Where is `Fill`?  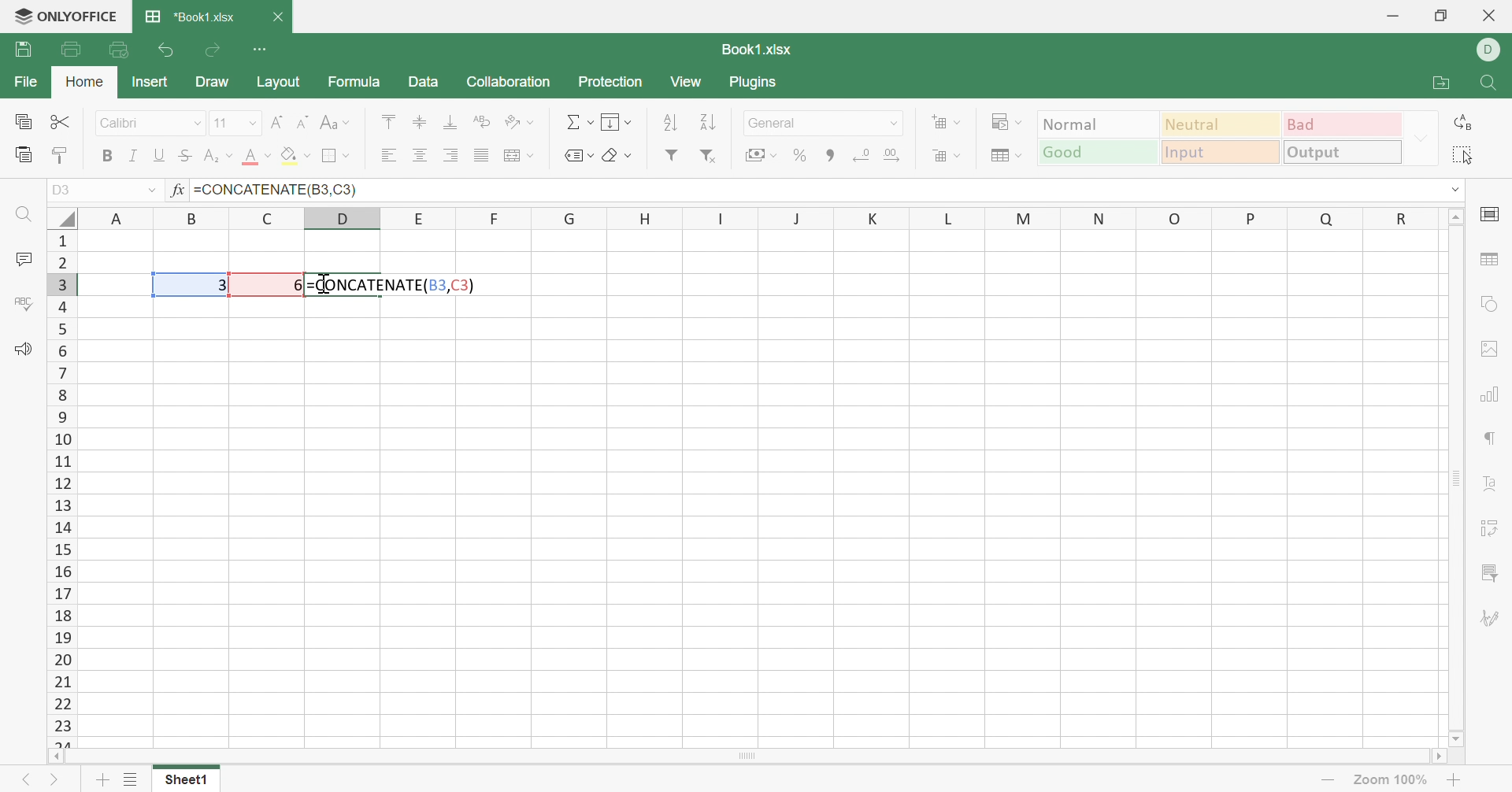
Fill is located at coordinates (618, 124).